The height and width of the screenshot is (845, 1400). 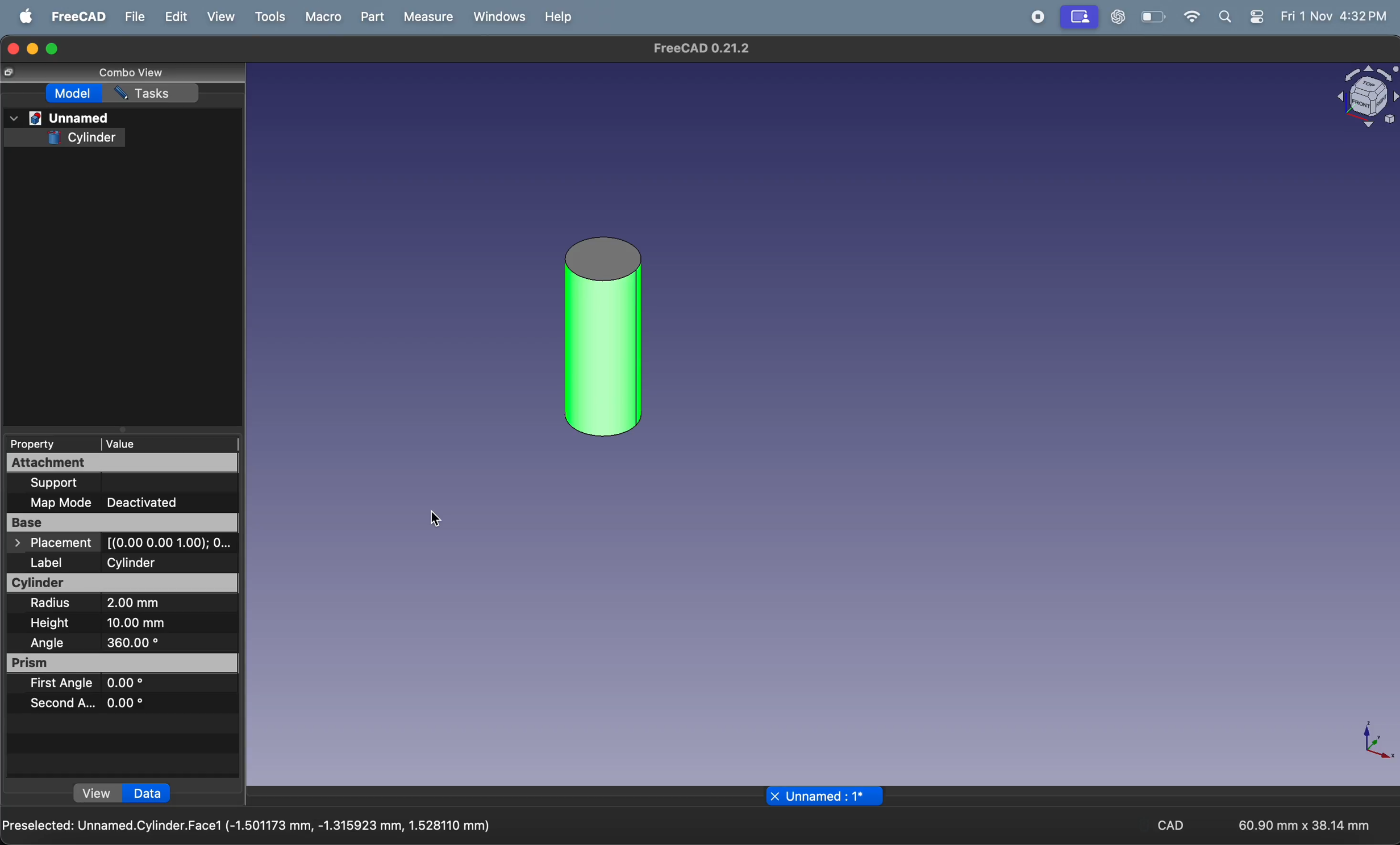 I want to click on height, so click(x=52, y=624).